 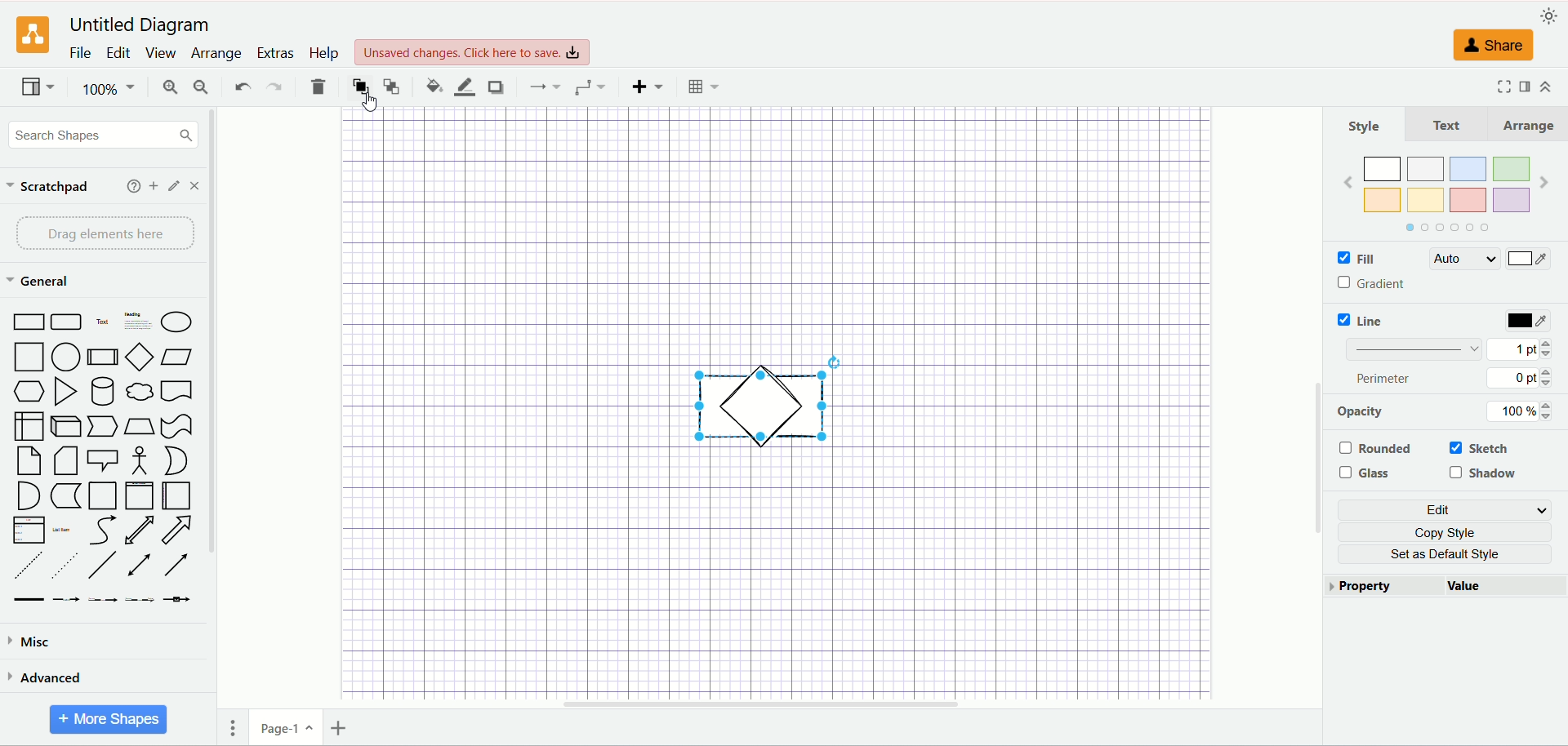 I want to click on to back, so click(x=392, y=85).